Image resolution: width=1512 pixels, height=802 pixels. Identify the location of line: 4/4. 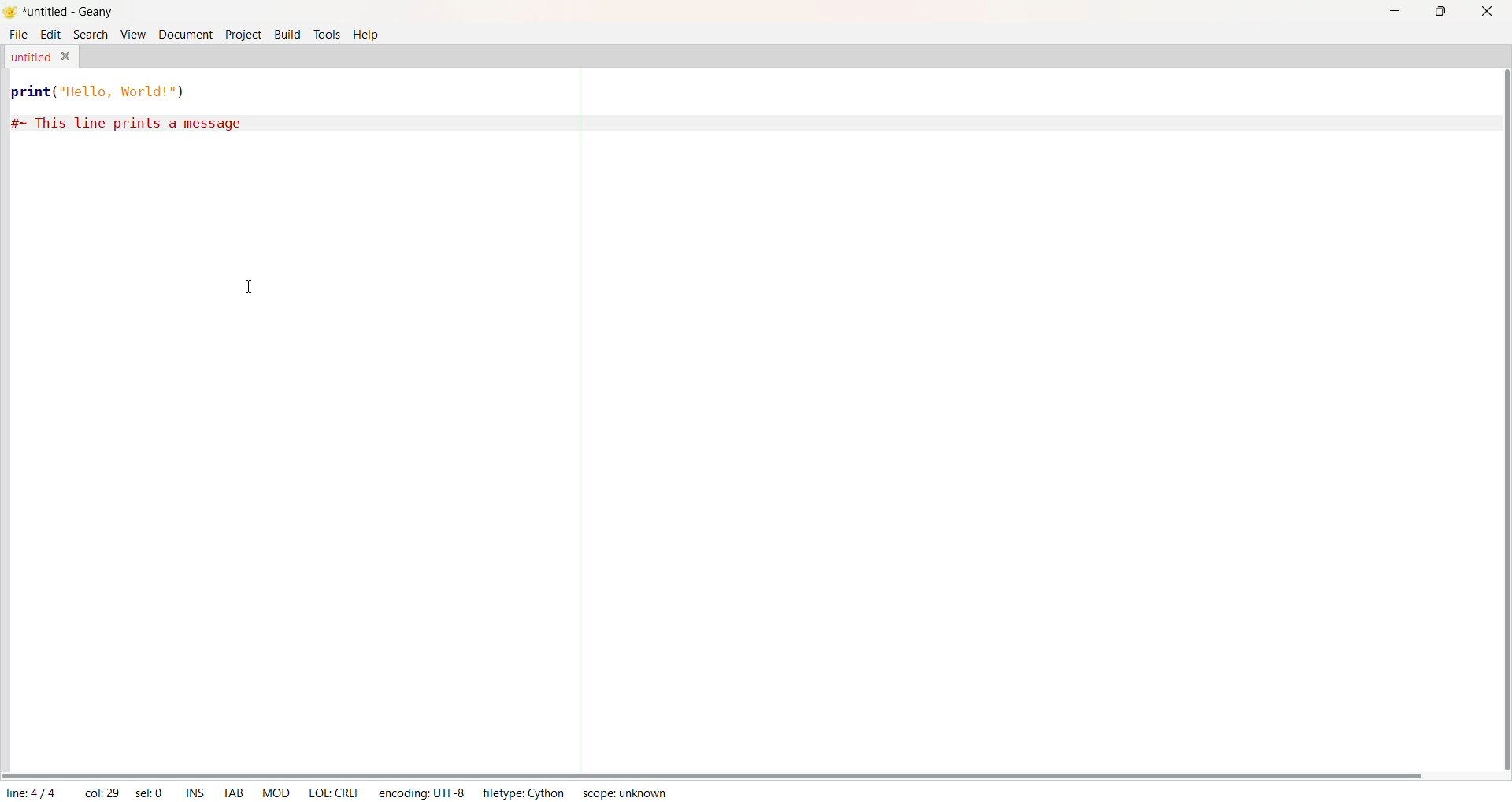
(33, 791).